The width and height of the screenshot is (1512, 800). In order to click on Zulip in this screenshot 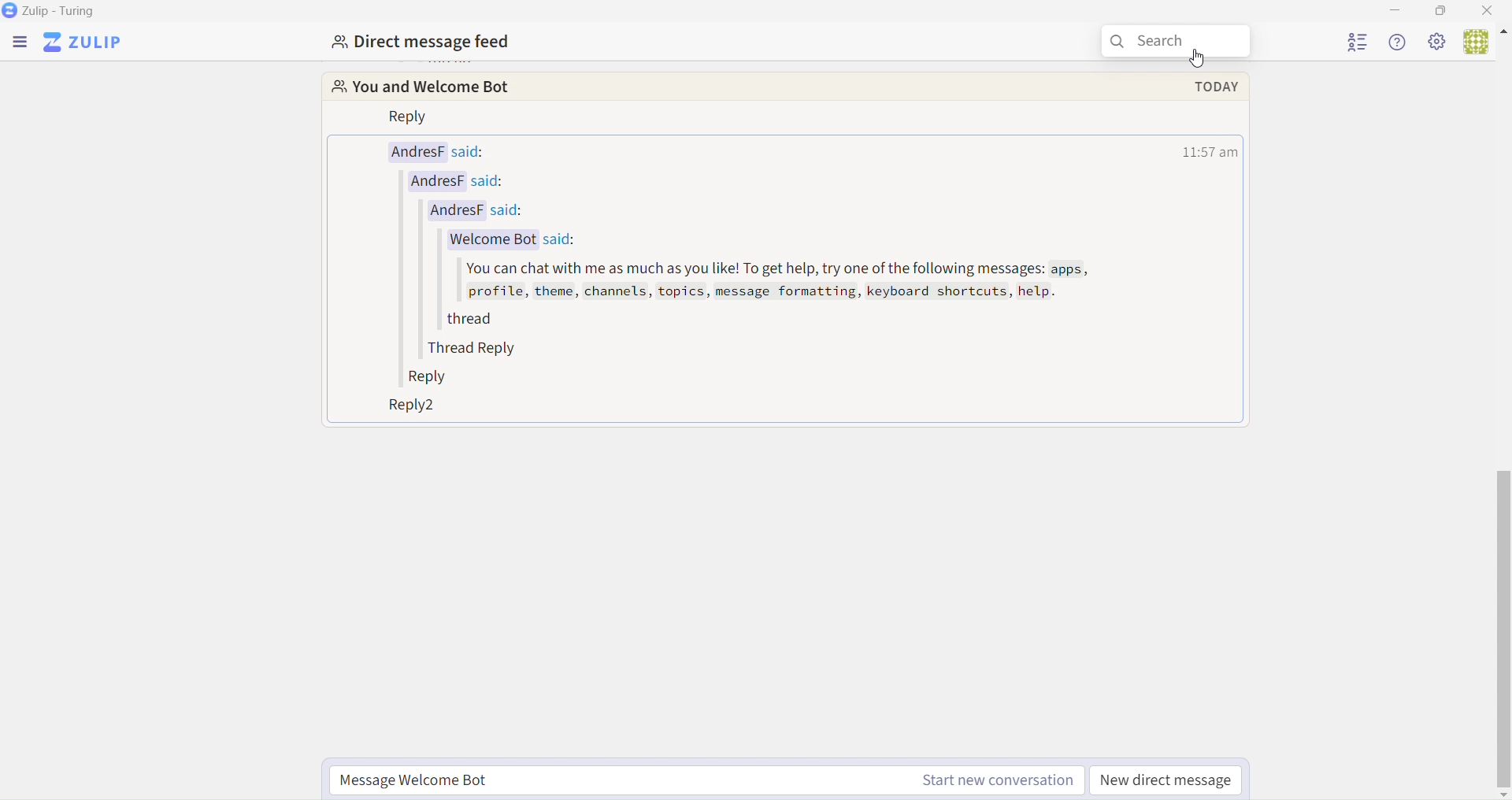, I will do `click(50, 11)`.